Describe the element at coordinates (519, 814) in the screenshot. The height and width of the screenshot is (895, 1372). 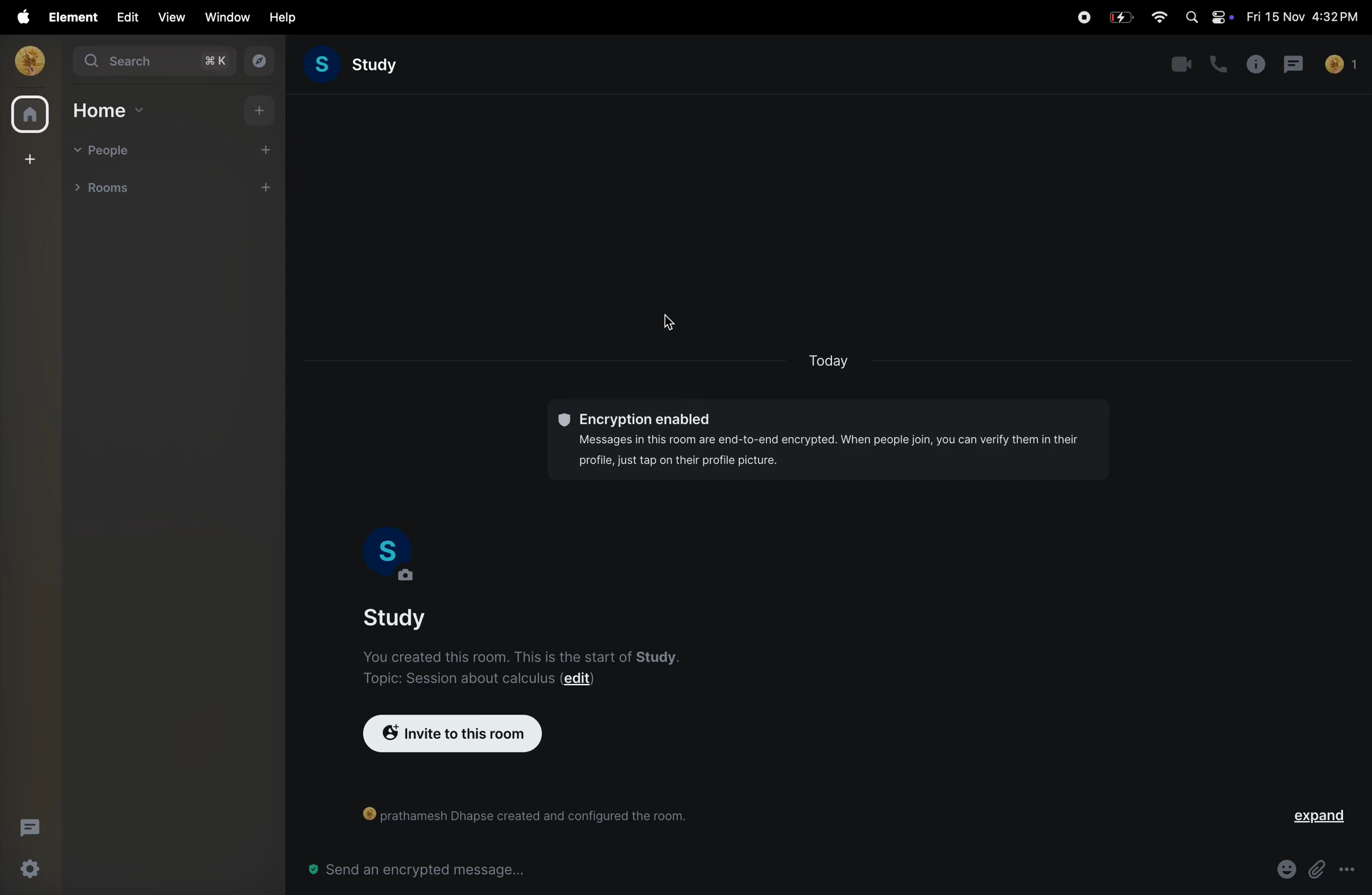
I see `user configuration` at that location.